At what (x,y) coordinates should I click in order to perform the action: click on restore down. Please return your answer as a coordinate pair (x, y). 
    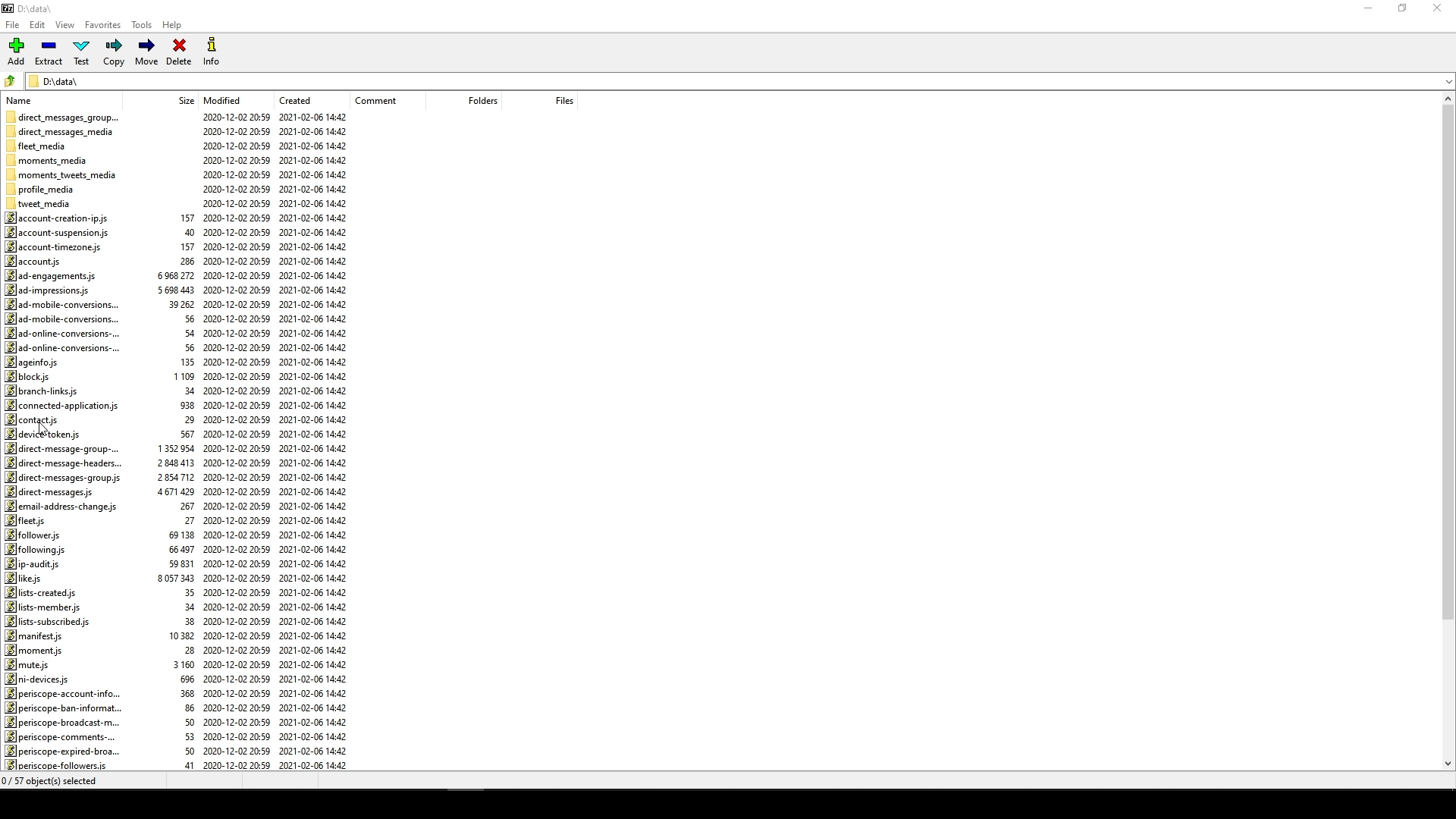
    Looking at the image, I should click on (1407, 9).